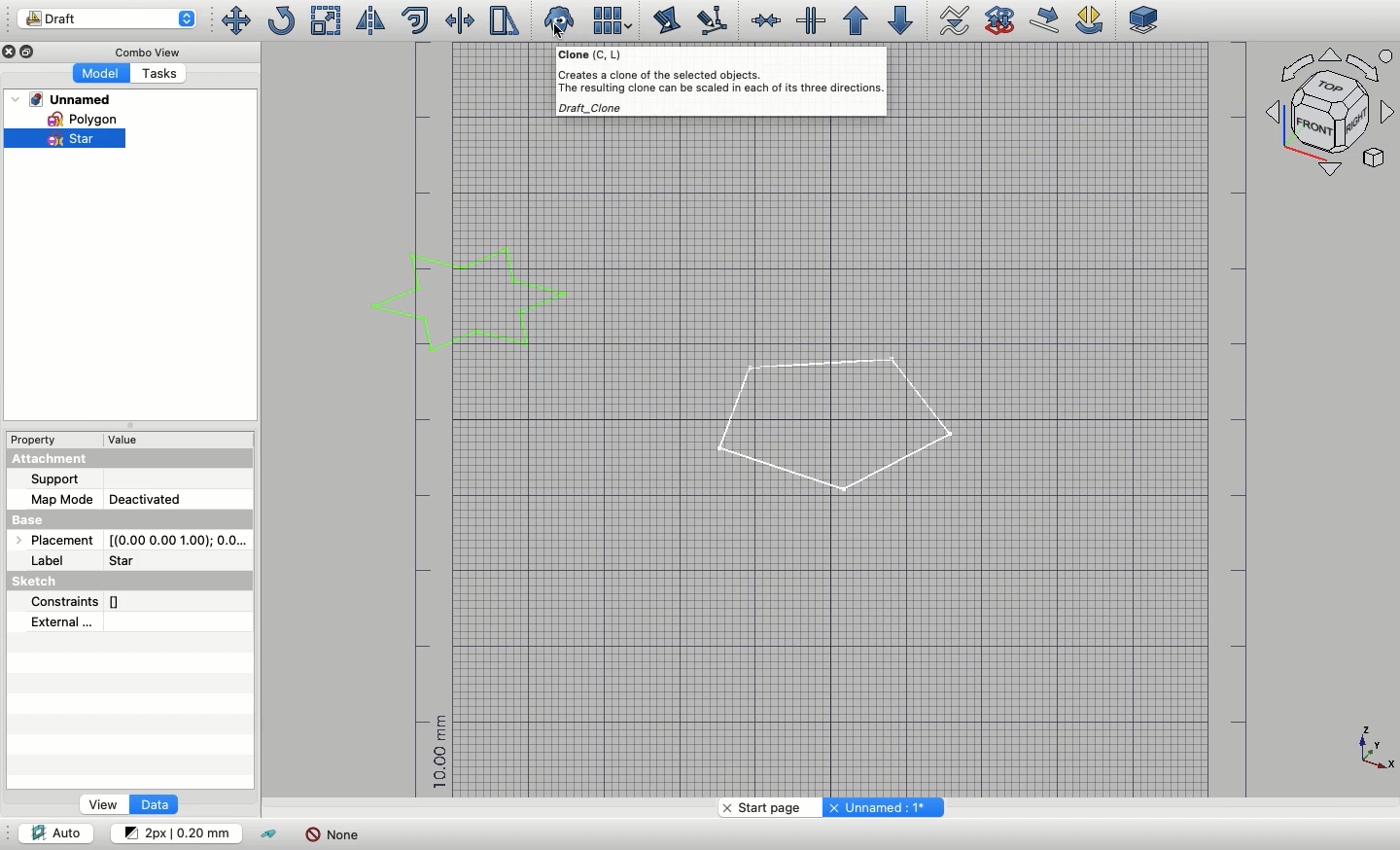  Describe the element at coordinates (472, 301) in the screenshot. I see `Star selected` at that location.